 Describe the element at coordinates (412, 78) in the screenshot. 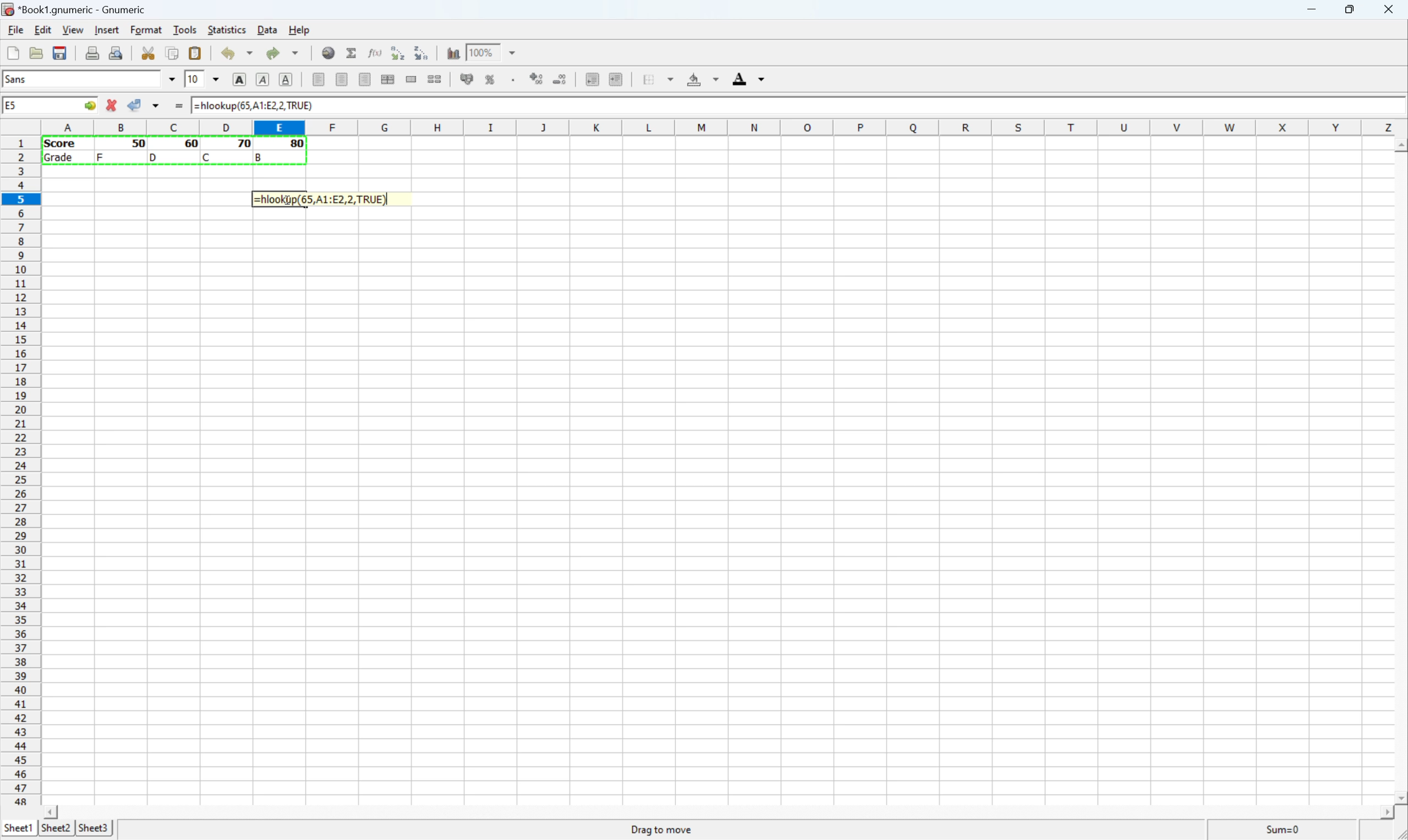

I see `Merge a range of cells` at that location.